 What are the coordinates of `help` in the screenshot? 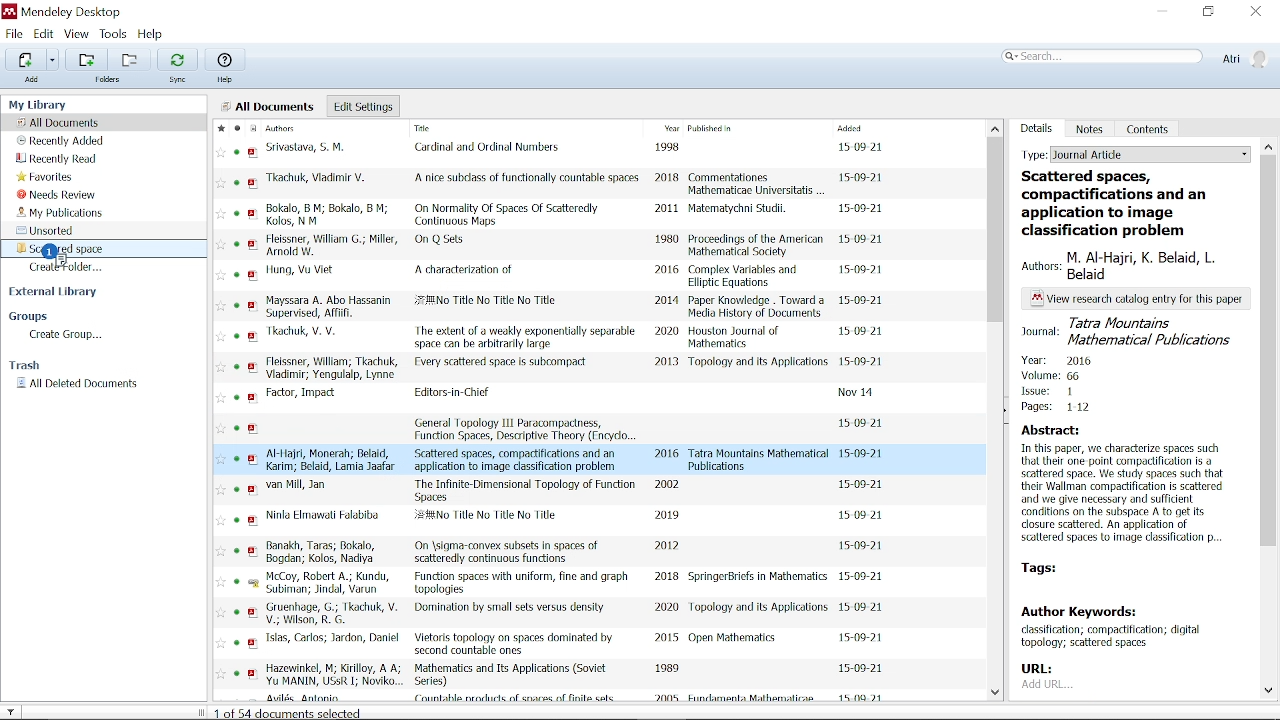 It's located at (227, 80).